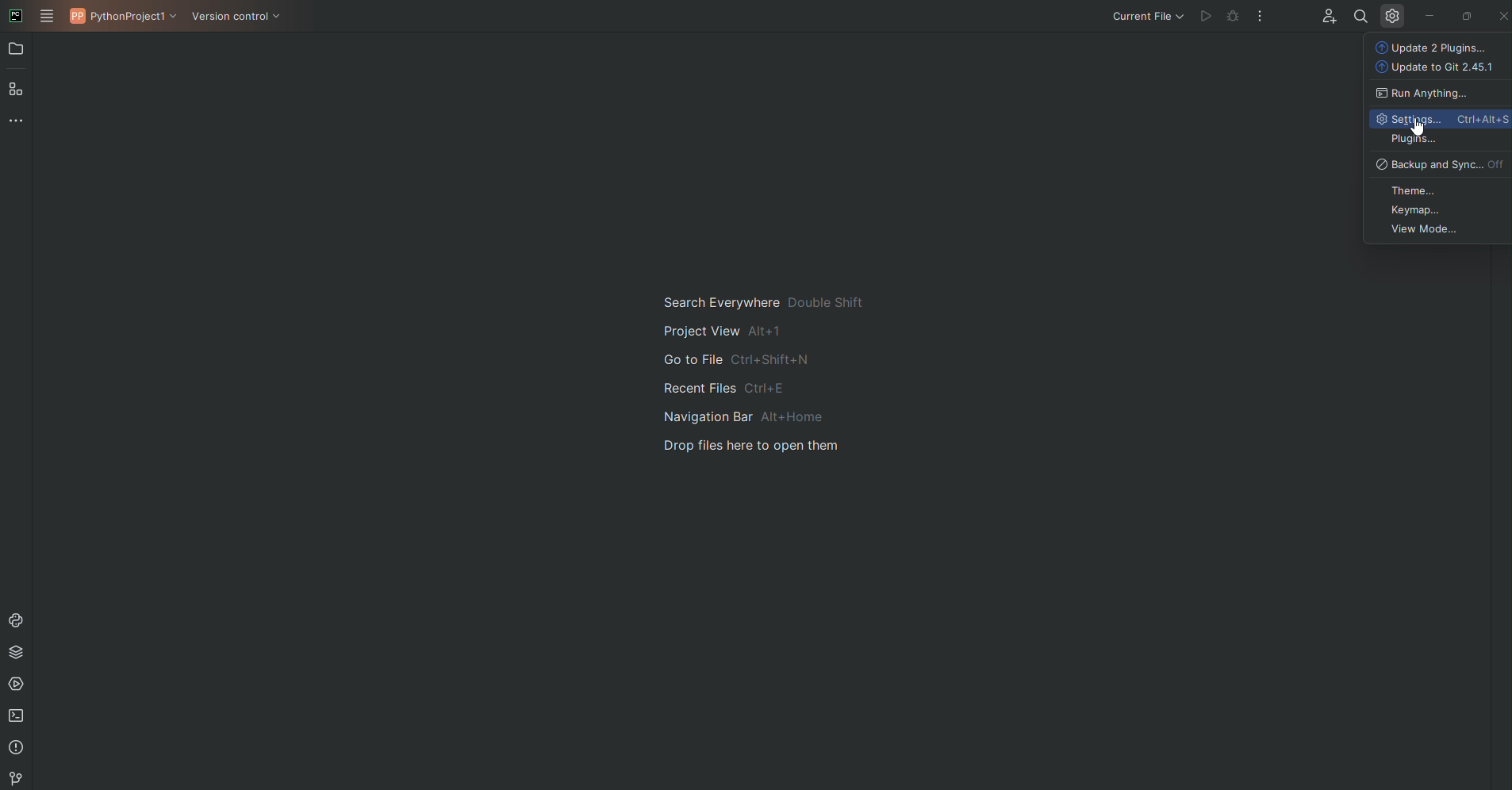 This screenshot has width=1512, height=790. I want to click on Minimize, so click(1426, 17).